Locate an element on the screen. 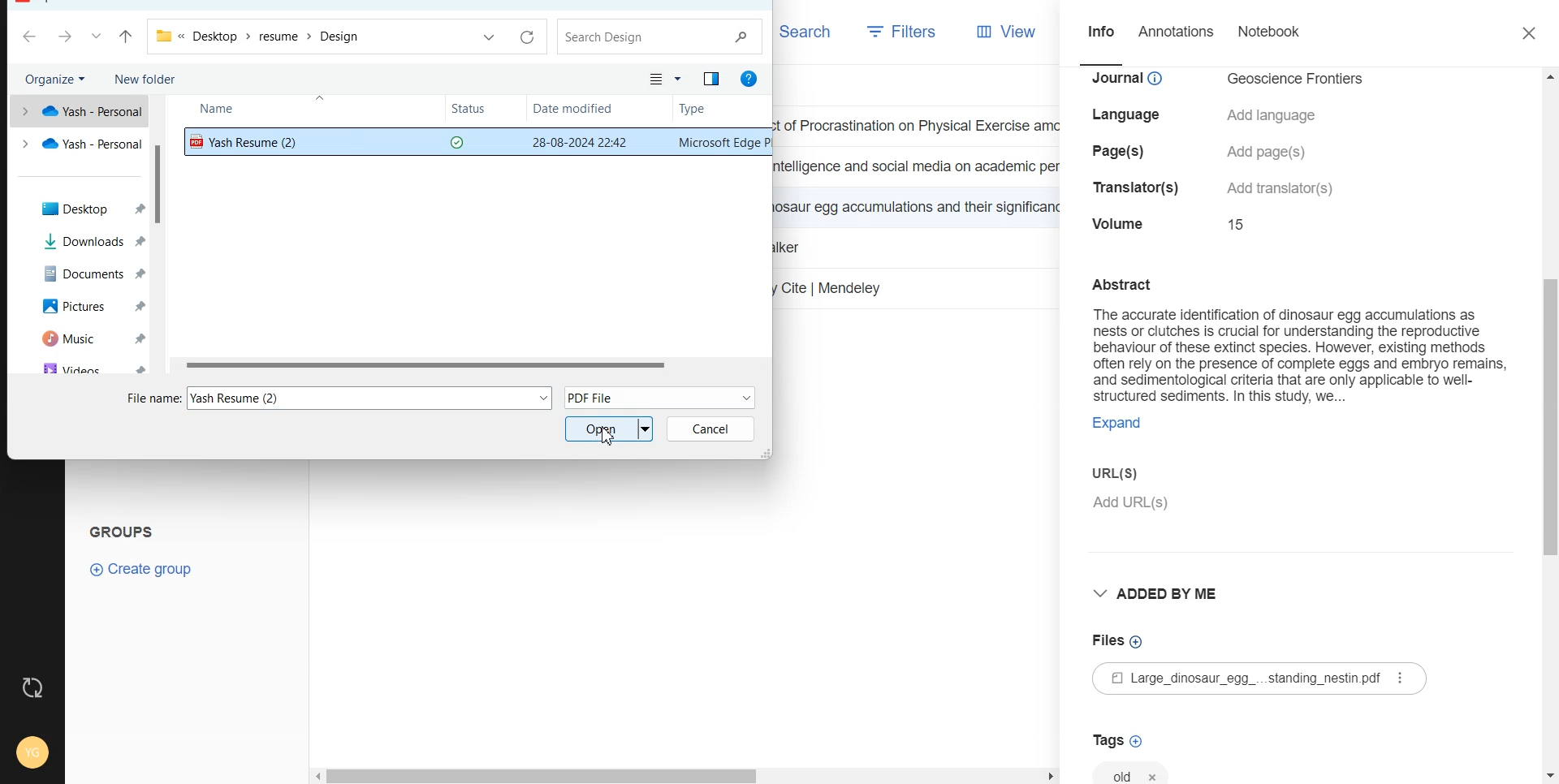  Add File is located at coordinates (1118, 641).